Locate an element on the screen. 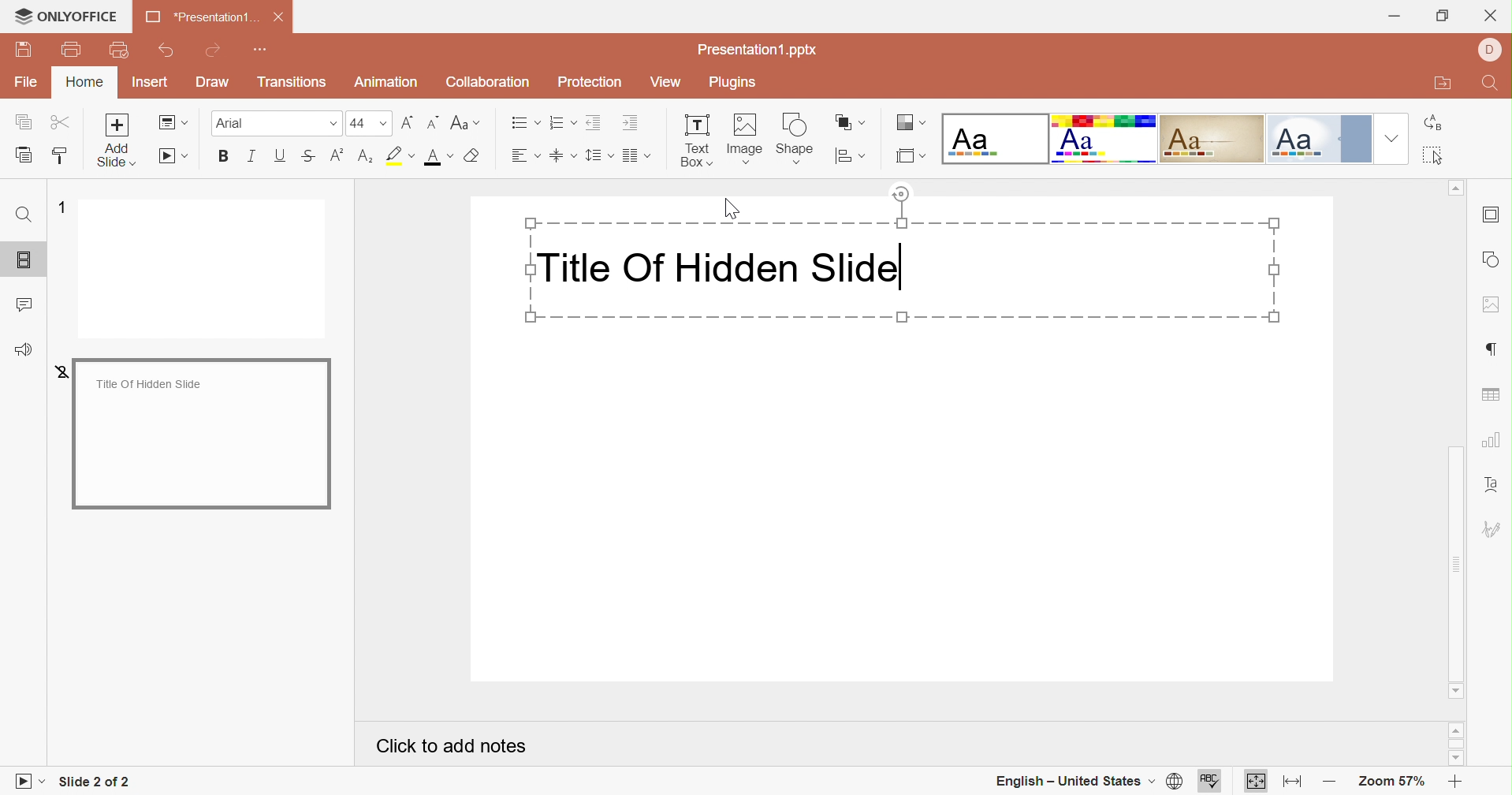  Highlight color is located at coordinates (402, 154).